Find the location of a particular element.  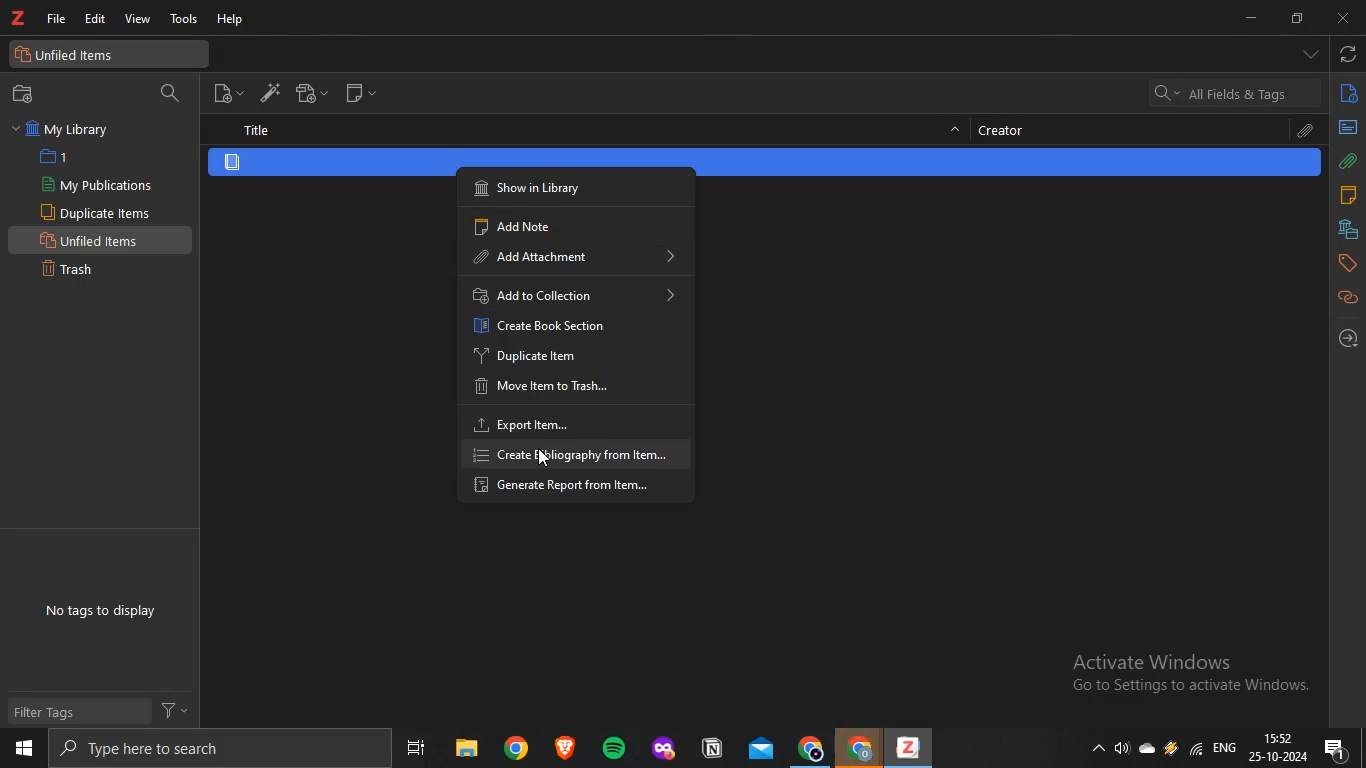

item is located at coordinates (233, 163).